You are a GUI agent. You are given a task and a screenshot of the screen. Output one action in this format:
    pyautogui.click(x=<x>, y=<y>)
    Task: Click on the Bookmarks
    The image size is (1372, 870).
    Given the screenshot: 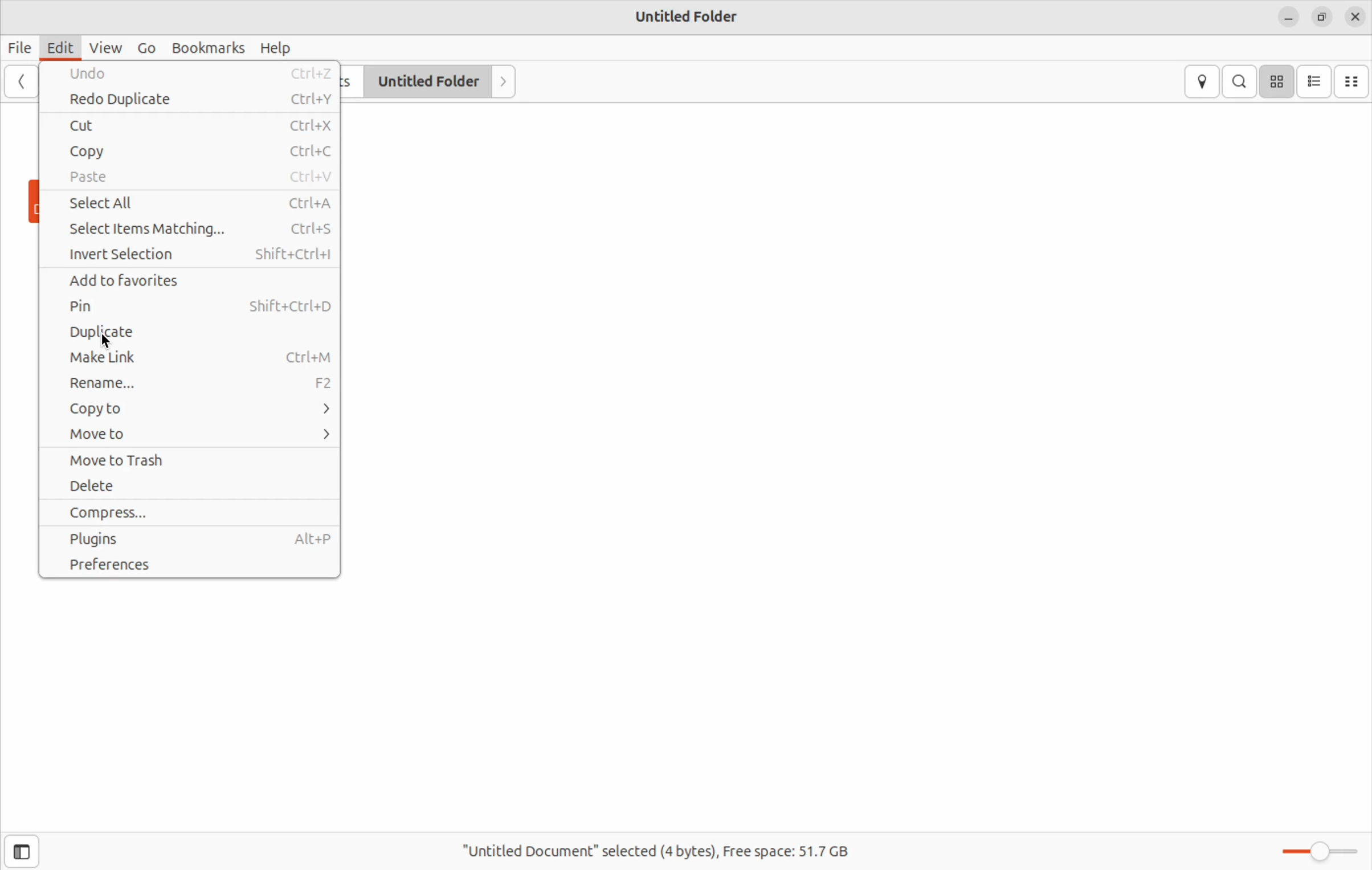 What is the action you would take?
    pyautogui.click(x=208, y=47)
    